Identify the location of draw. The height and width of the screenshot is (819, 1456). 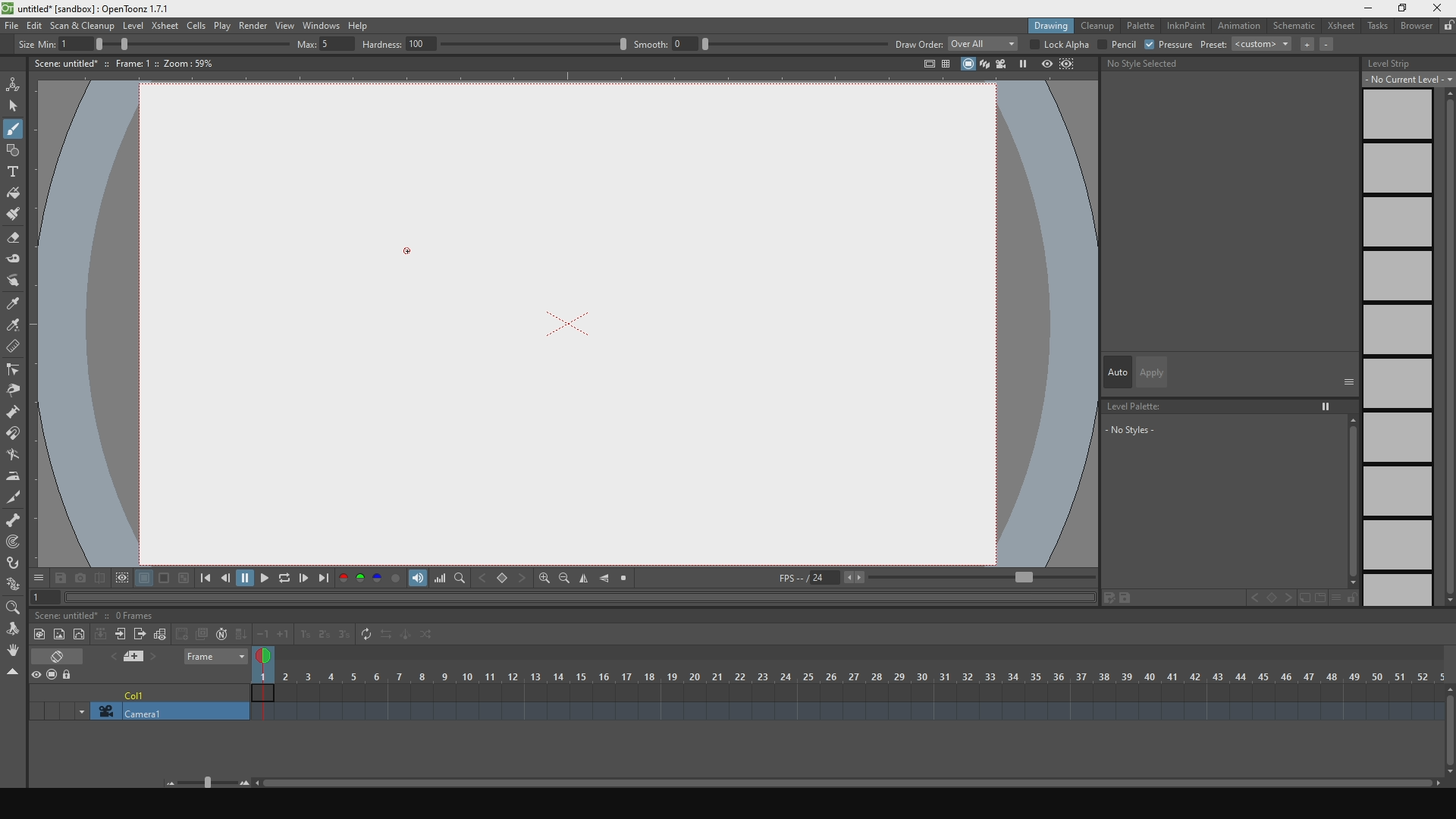
(15, 128).